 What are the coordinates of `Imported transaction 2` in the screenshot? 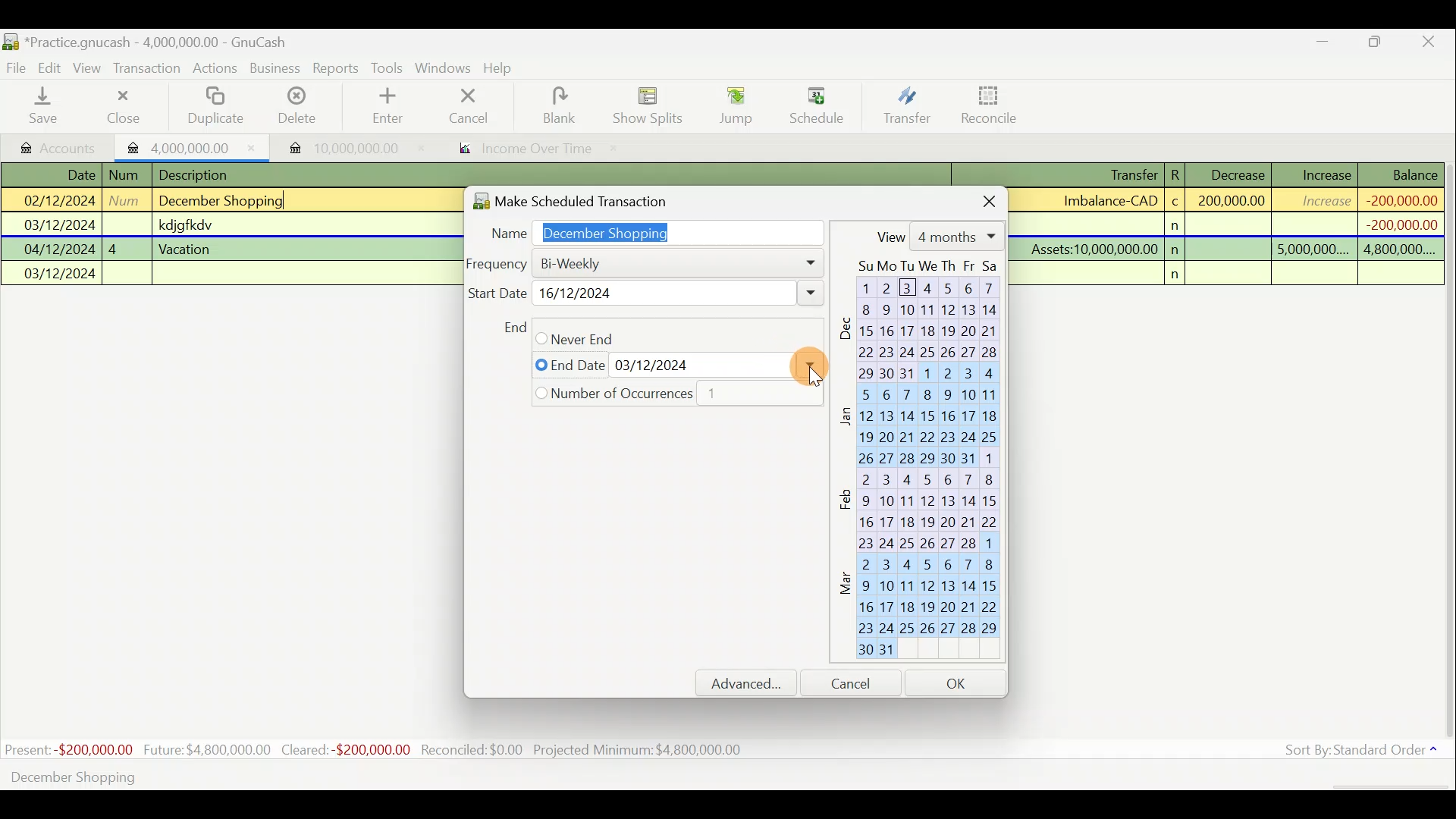 It's located at (339, 148).